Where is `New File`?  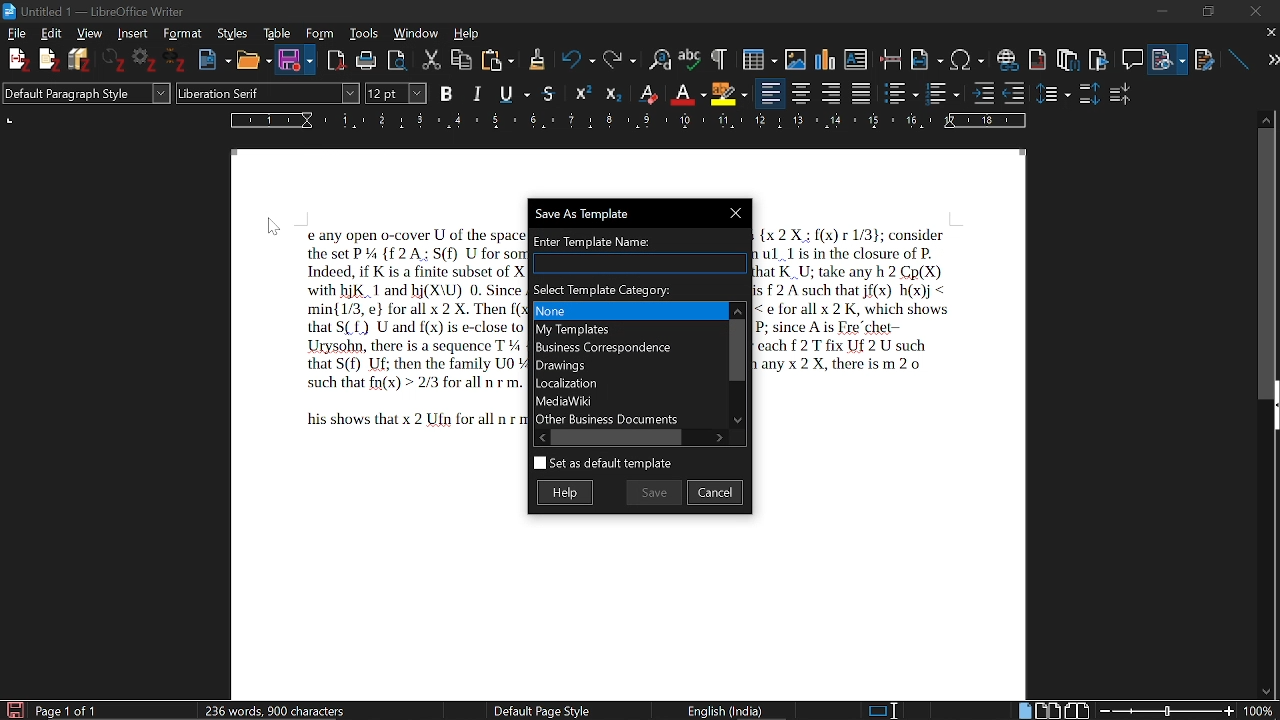 New File is located at coordinates (17, 60).